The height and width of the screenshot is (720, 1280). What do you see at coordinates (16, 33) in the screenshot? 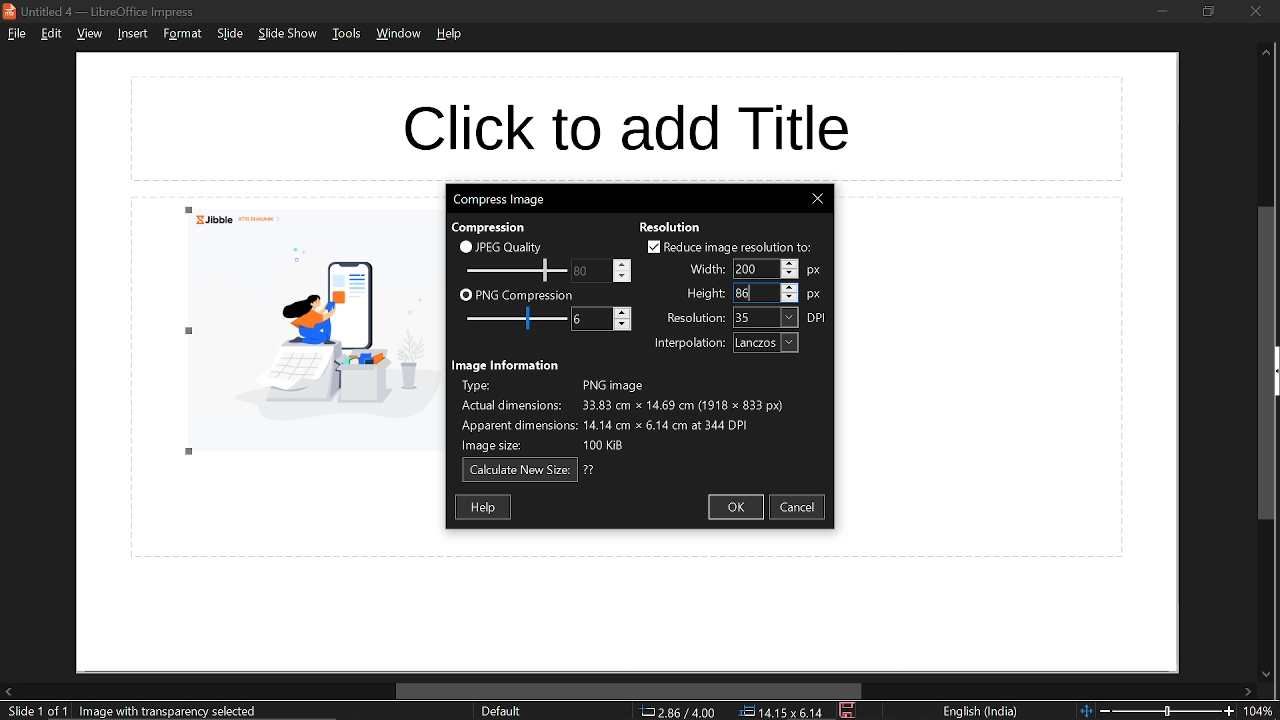
I see `file` at bounding box center [16, 33].